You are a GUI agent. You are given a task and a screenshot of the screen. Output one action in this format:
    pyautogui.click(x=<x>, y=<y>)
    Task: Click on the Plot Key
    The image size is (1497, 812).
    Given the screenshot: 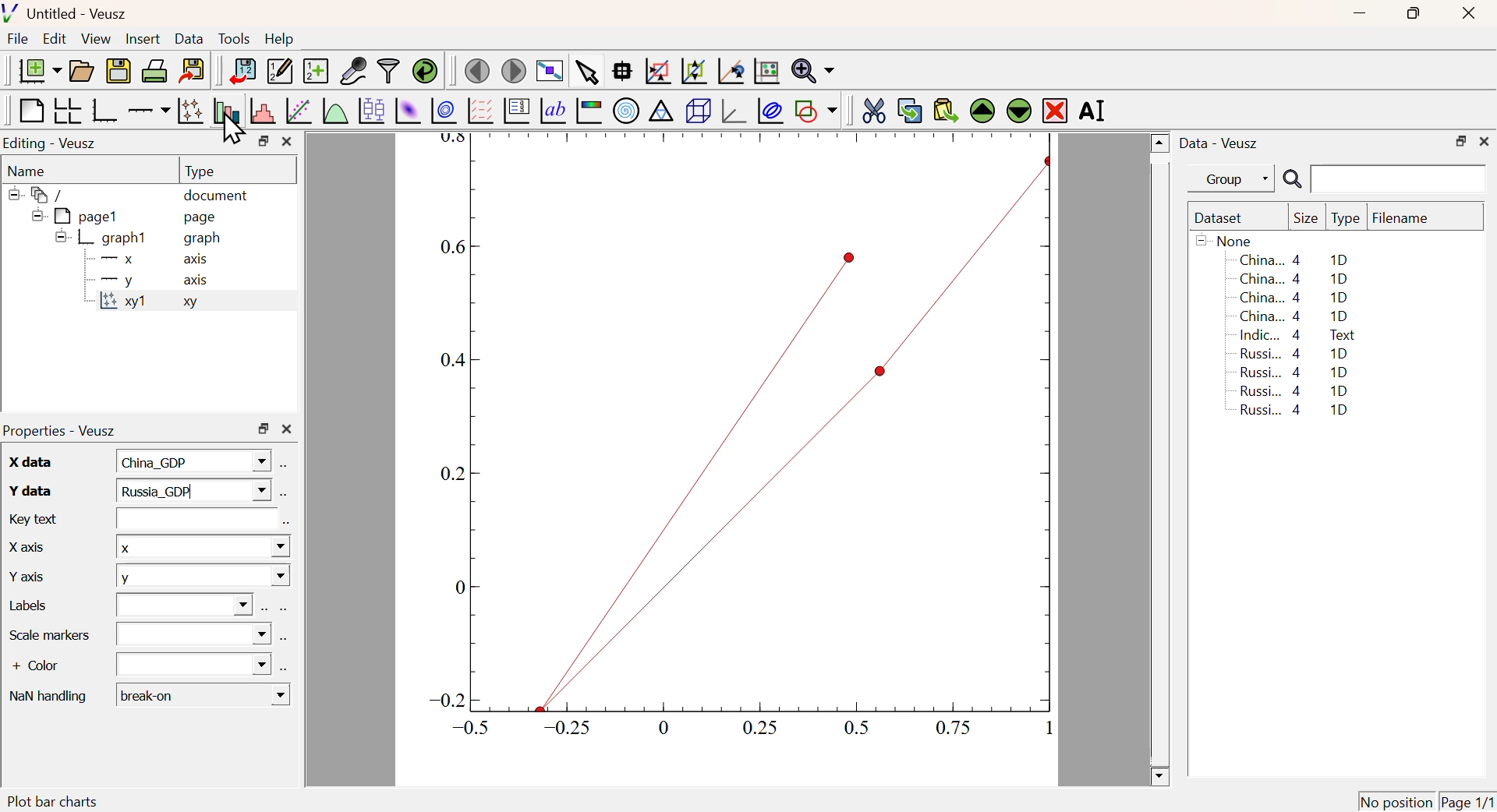 What is the action you would take?
    pyautogui.click(x=515, y=110)
    